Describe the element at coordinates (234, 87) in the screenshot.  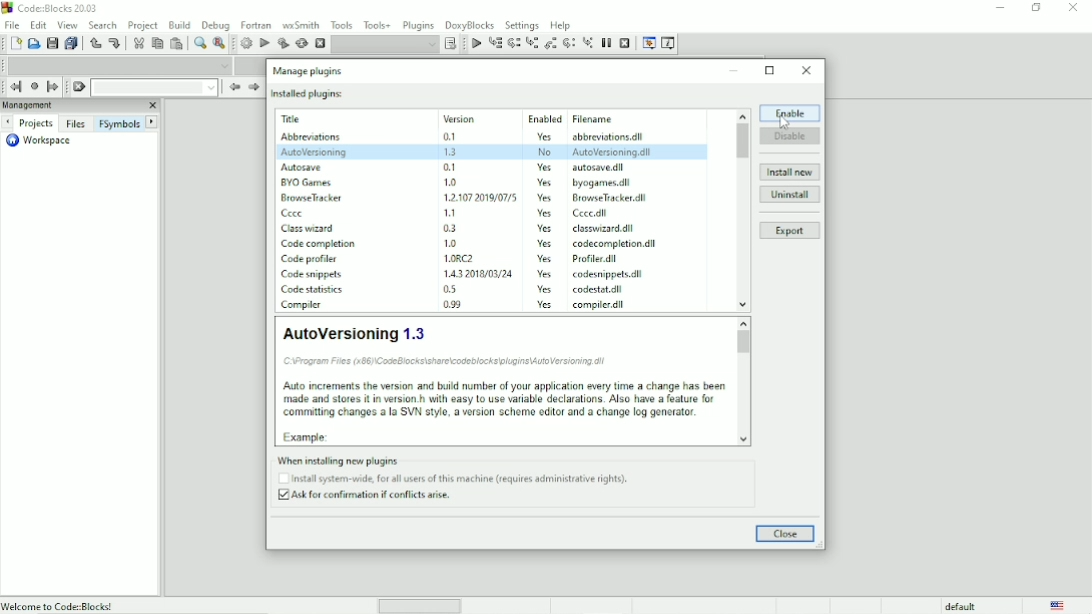
I see `Prev` at that location.